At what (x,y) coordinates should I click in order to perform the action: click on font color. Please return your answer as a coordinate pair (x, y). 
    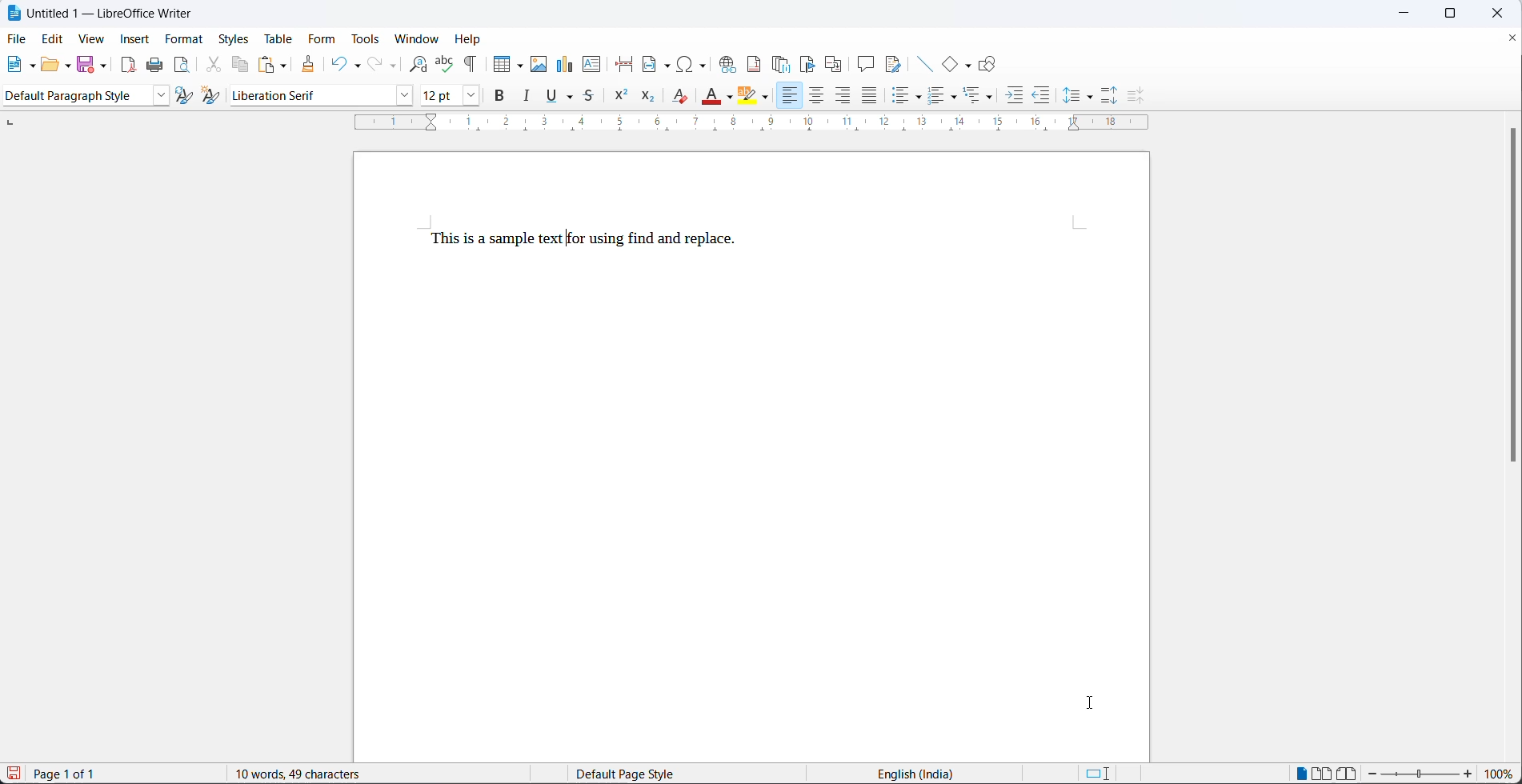
    Looking at the image, I should click on (730, 98).